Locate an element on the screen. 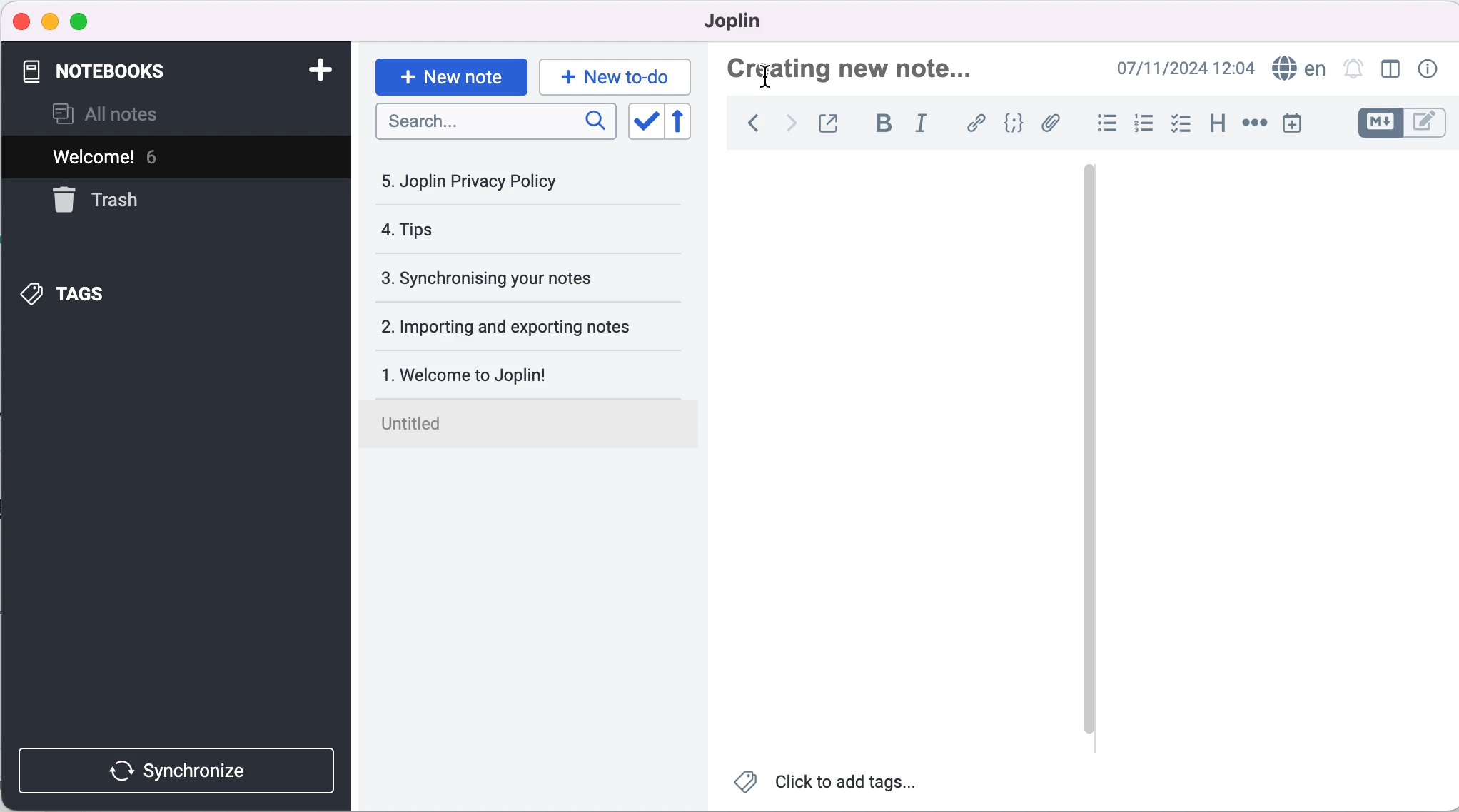 The width and height of the screenshot is (1459, 812). welcome to joplin is located at coordinates (532, 367).